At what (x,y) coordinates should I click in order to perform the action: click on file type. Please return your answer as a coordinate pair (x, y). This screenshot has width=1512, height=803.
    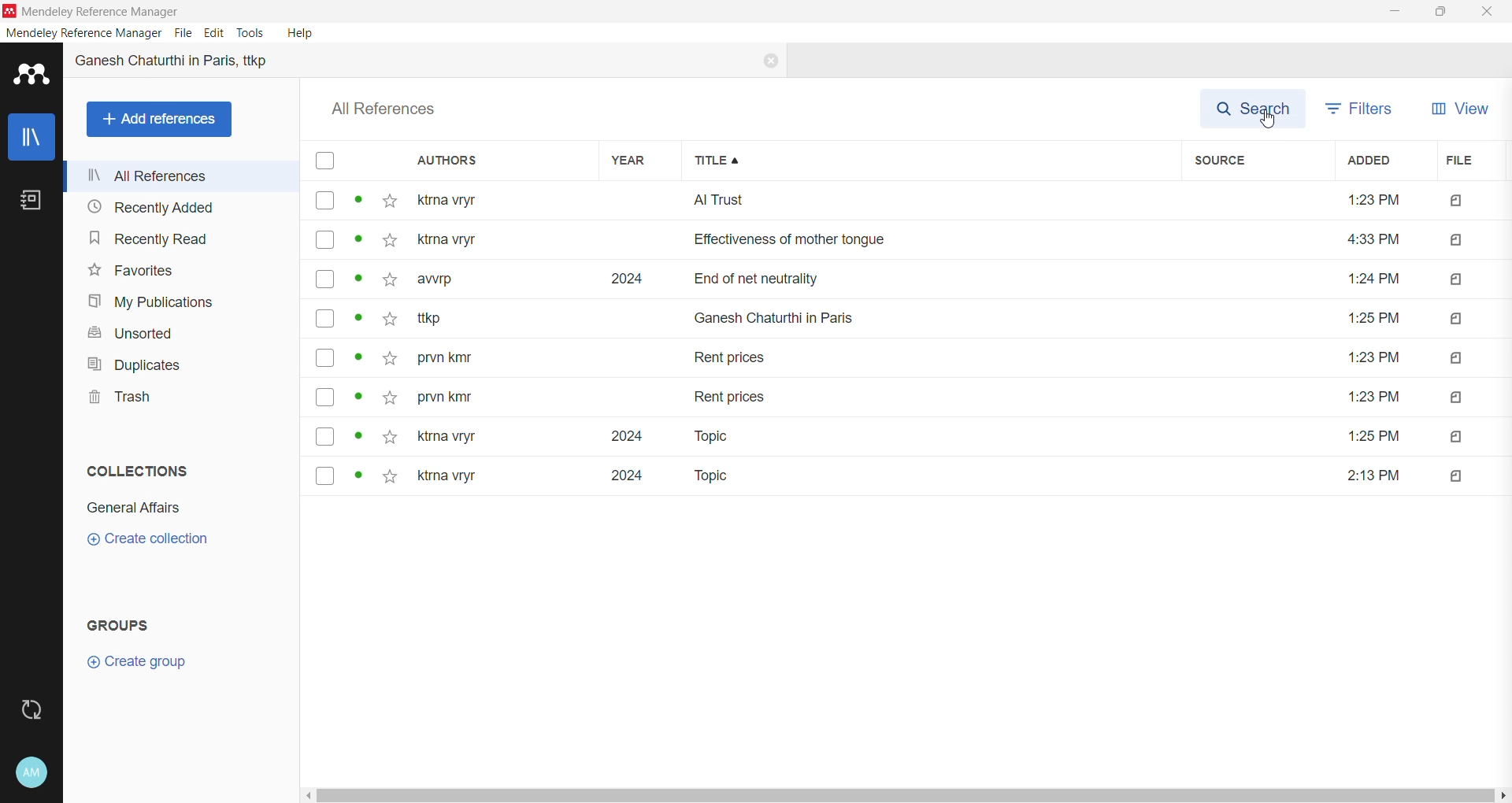
    Looking at the image, I should click on (1454, 240).